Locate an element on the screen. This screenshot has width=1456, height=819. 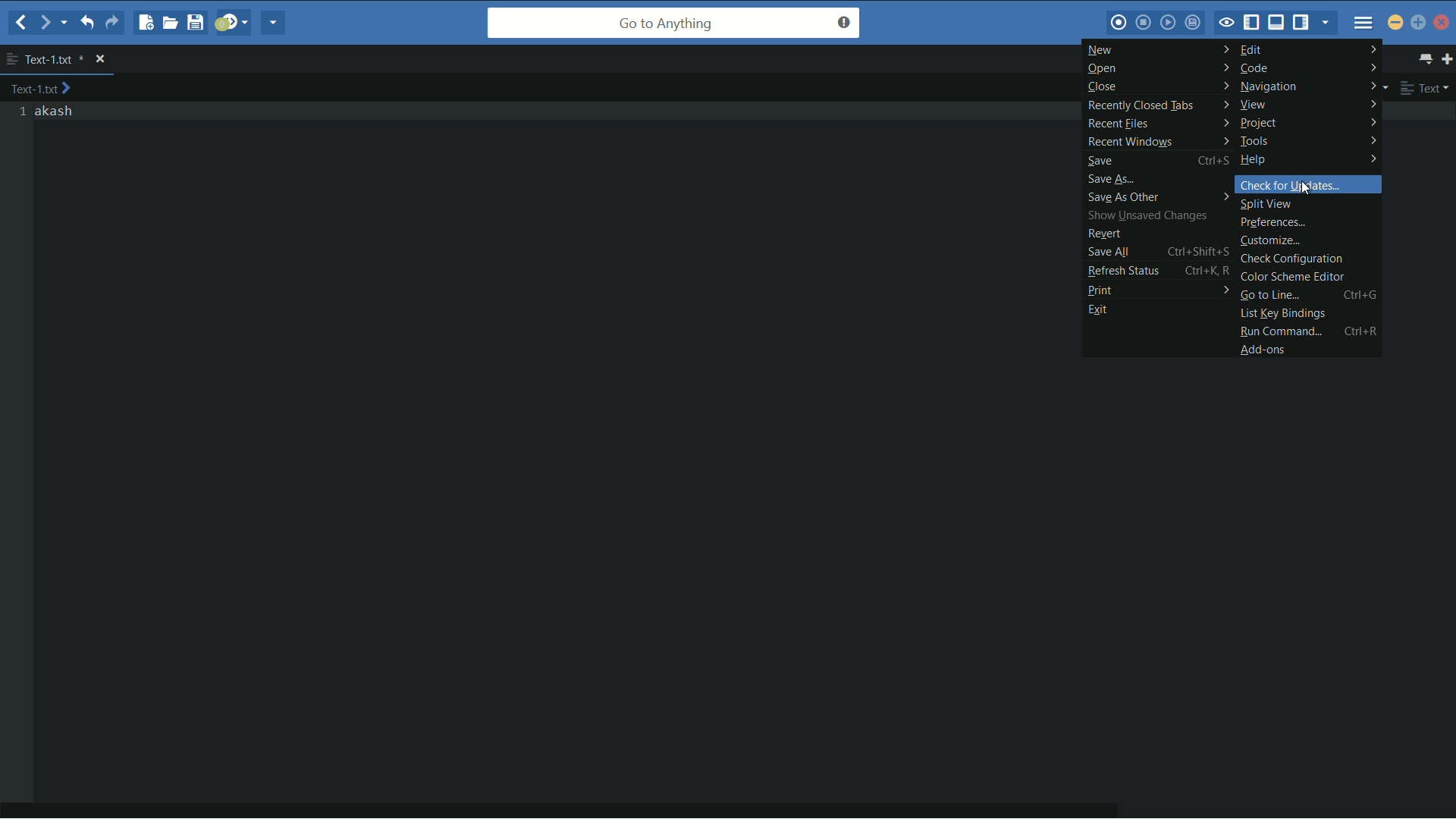
exit is located at coordinates (1157, 310).